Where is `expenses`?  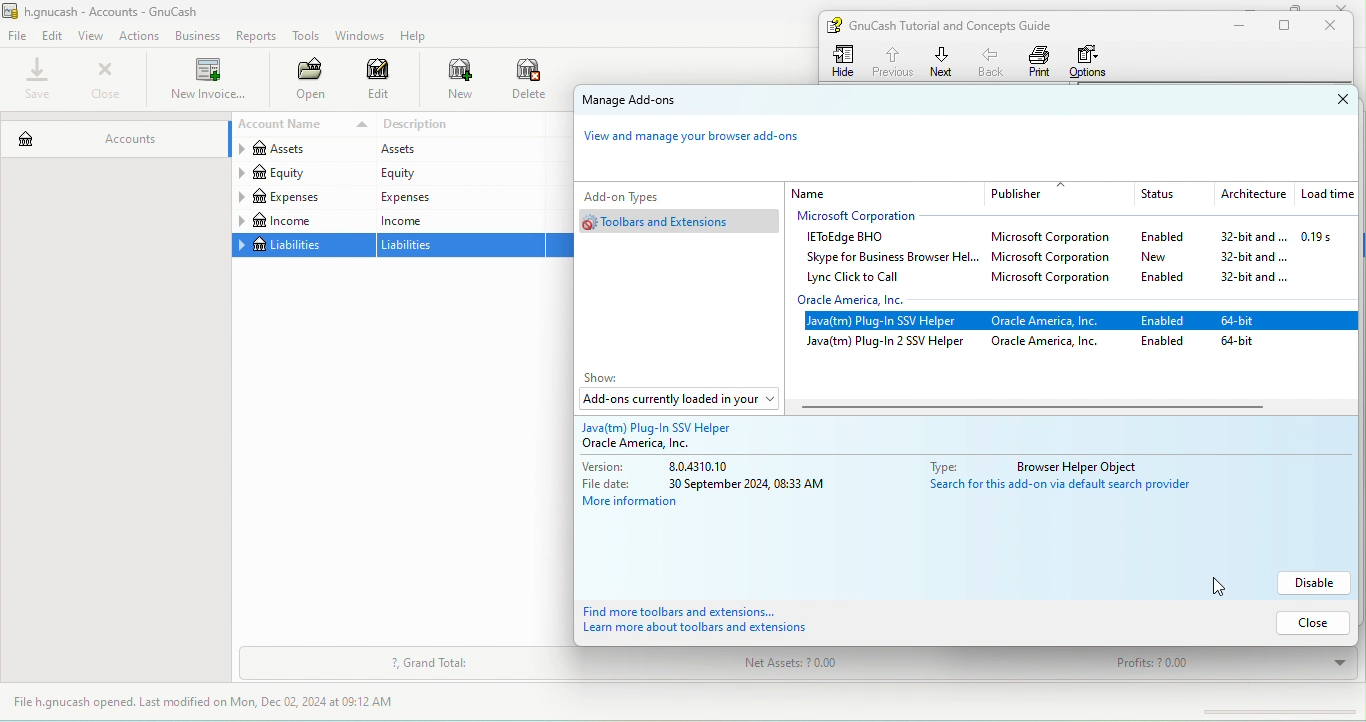
expenses is located at coordinates (302, 197).